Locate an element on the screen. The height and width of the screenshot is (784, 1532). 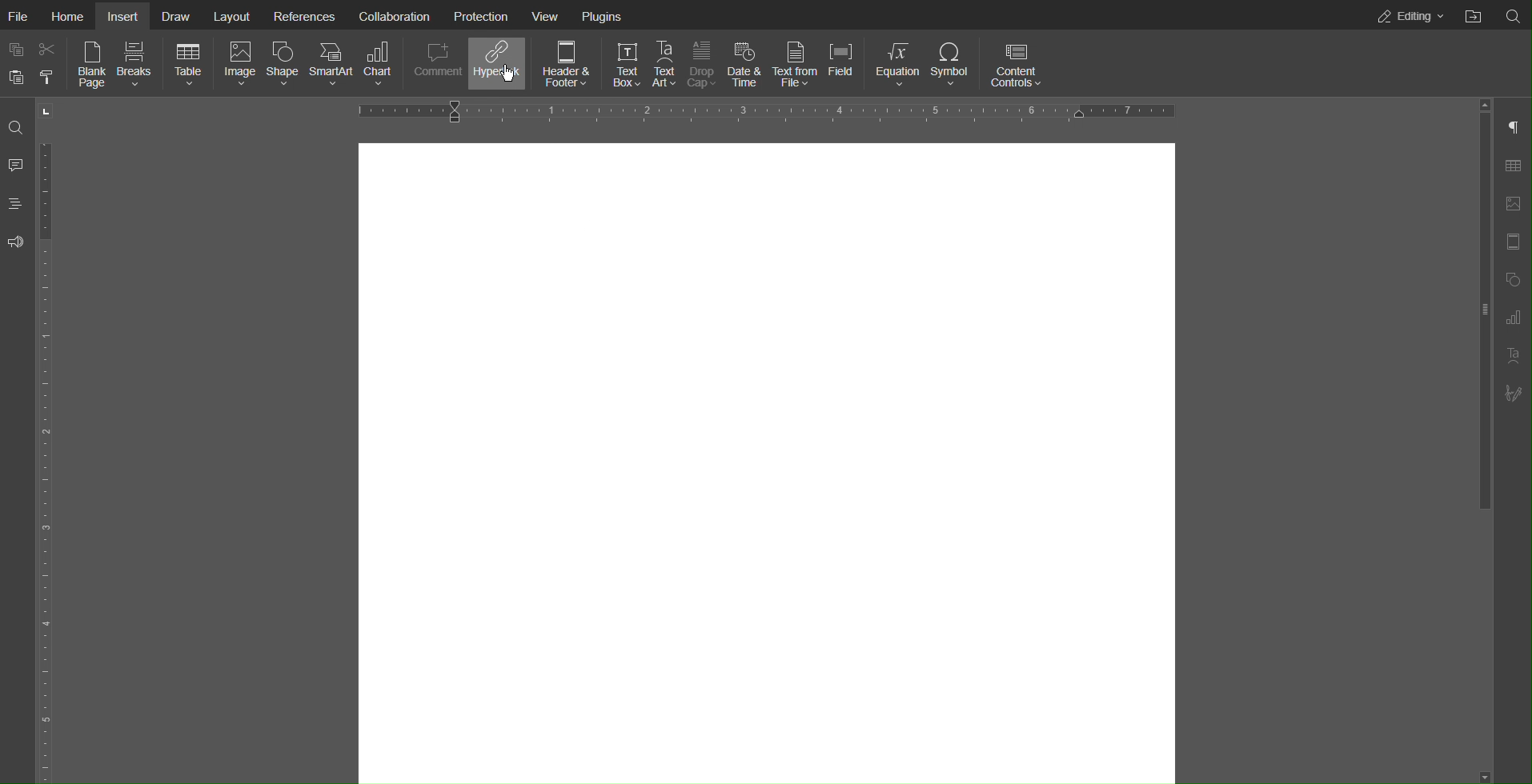
Draw is located at coordinates (177, 16).